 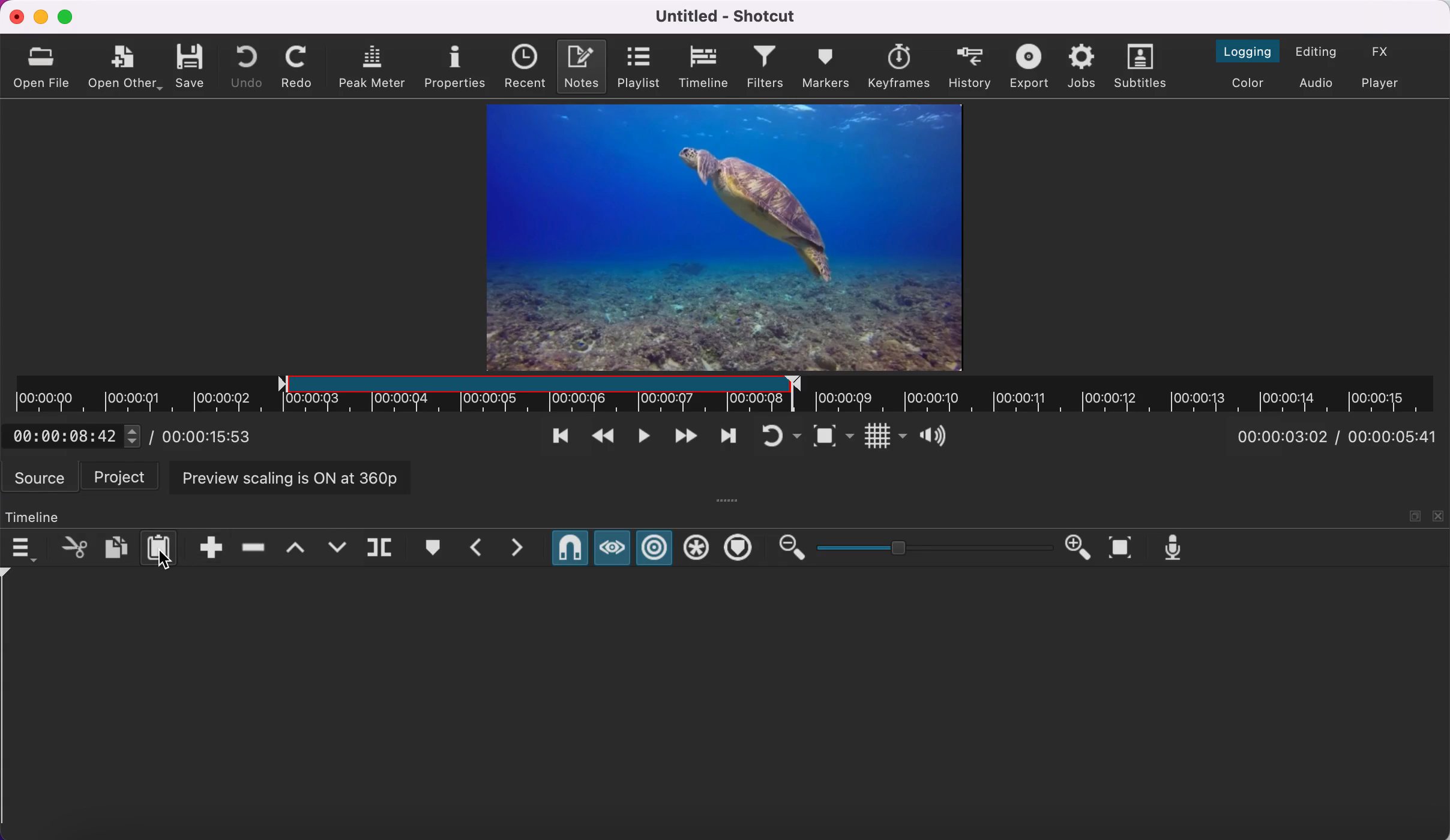 What do you see at coordinates (336, 547) in the screenshot?
I see `overwrite` at bounding box center [336, 547].